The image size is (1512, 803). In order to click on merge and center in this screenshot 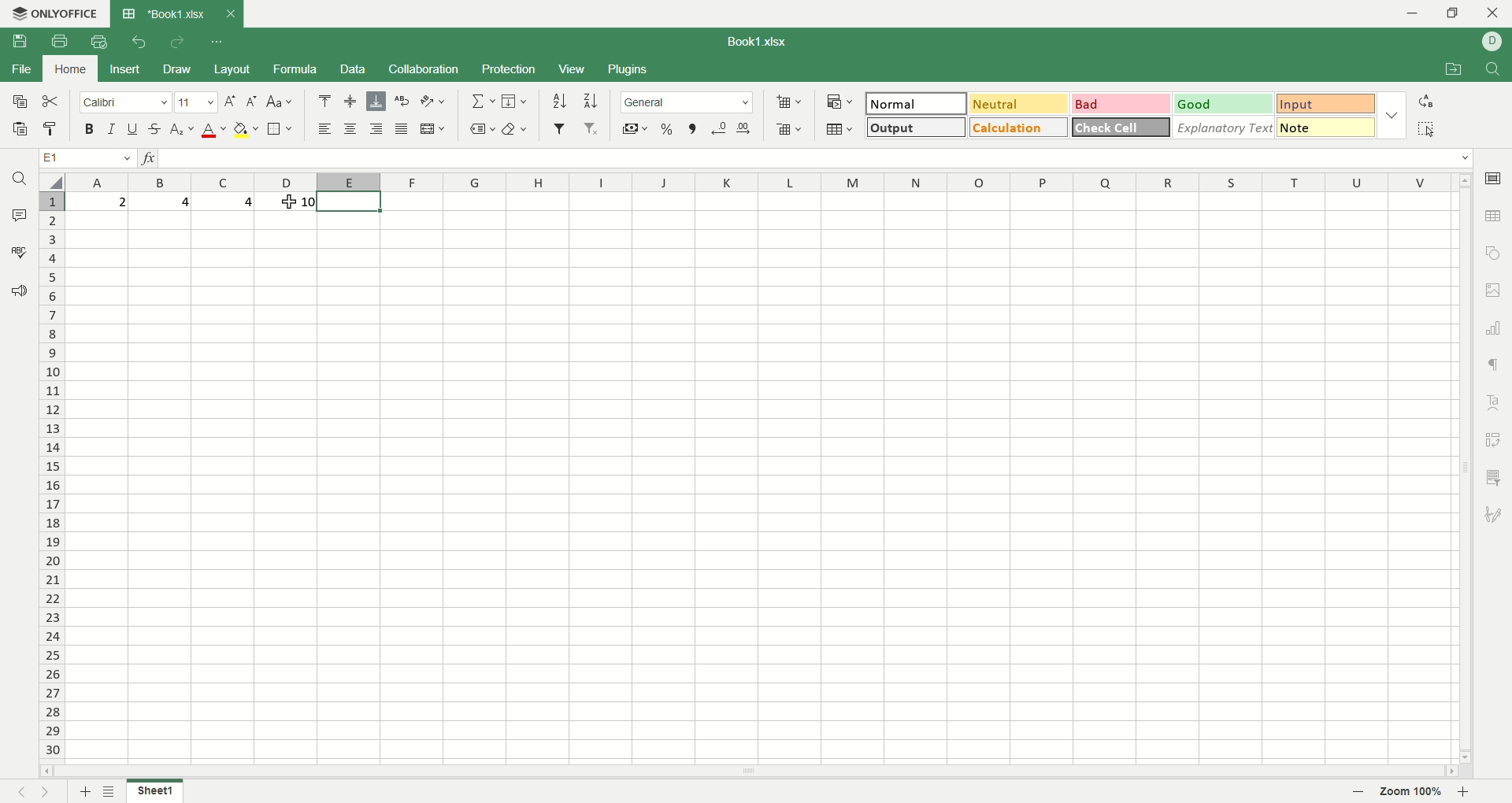, I will do `click(434, 128)`.